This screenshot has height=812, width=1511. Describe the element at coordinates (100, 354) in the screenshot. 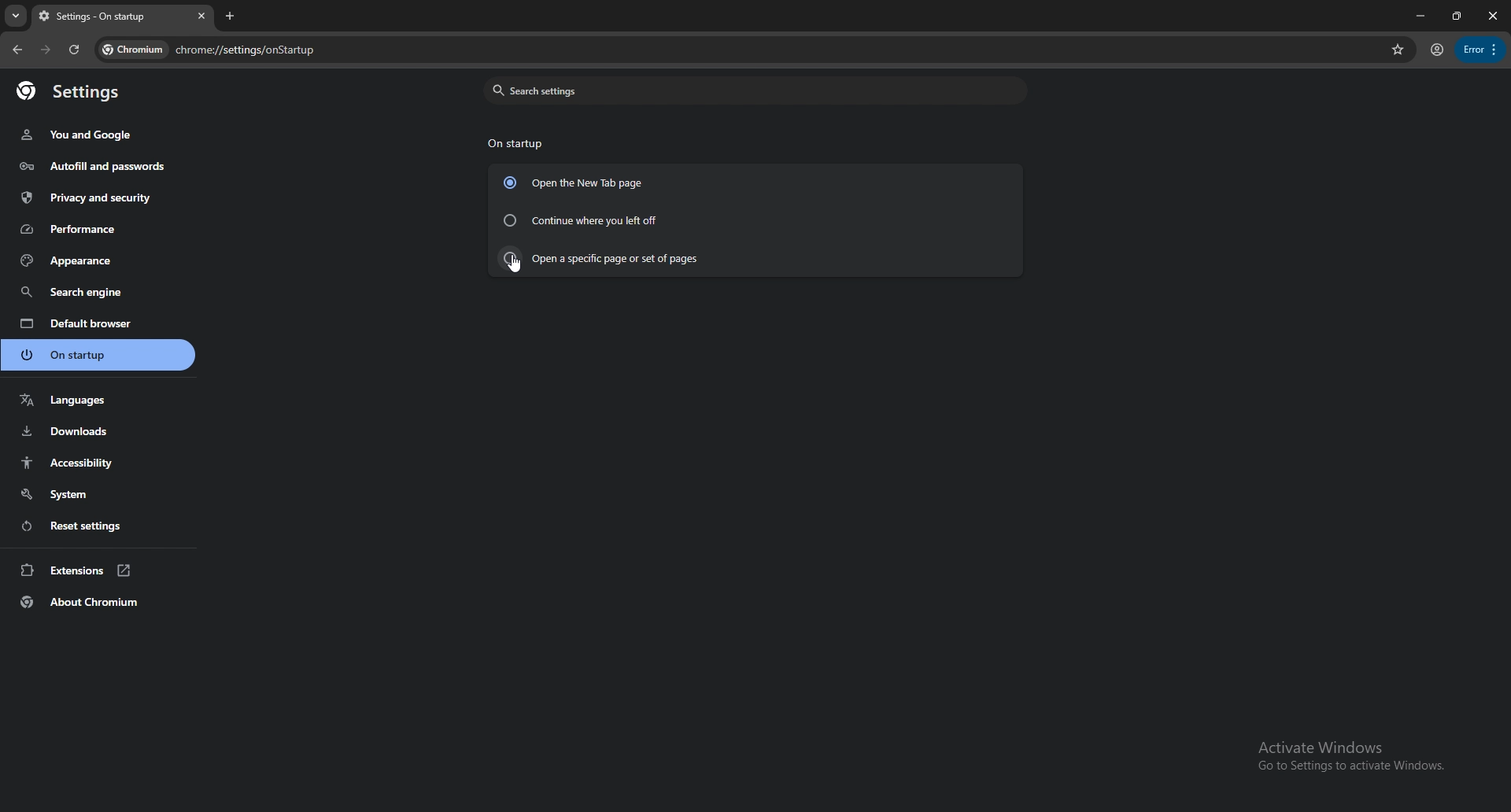

I see `on startup` at that location.